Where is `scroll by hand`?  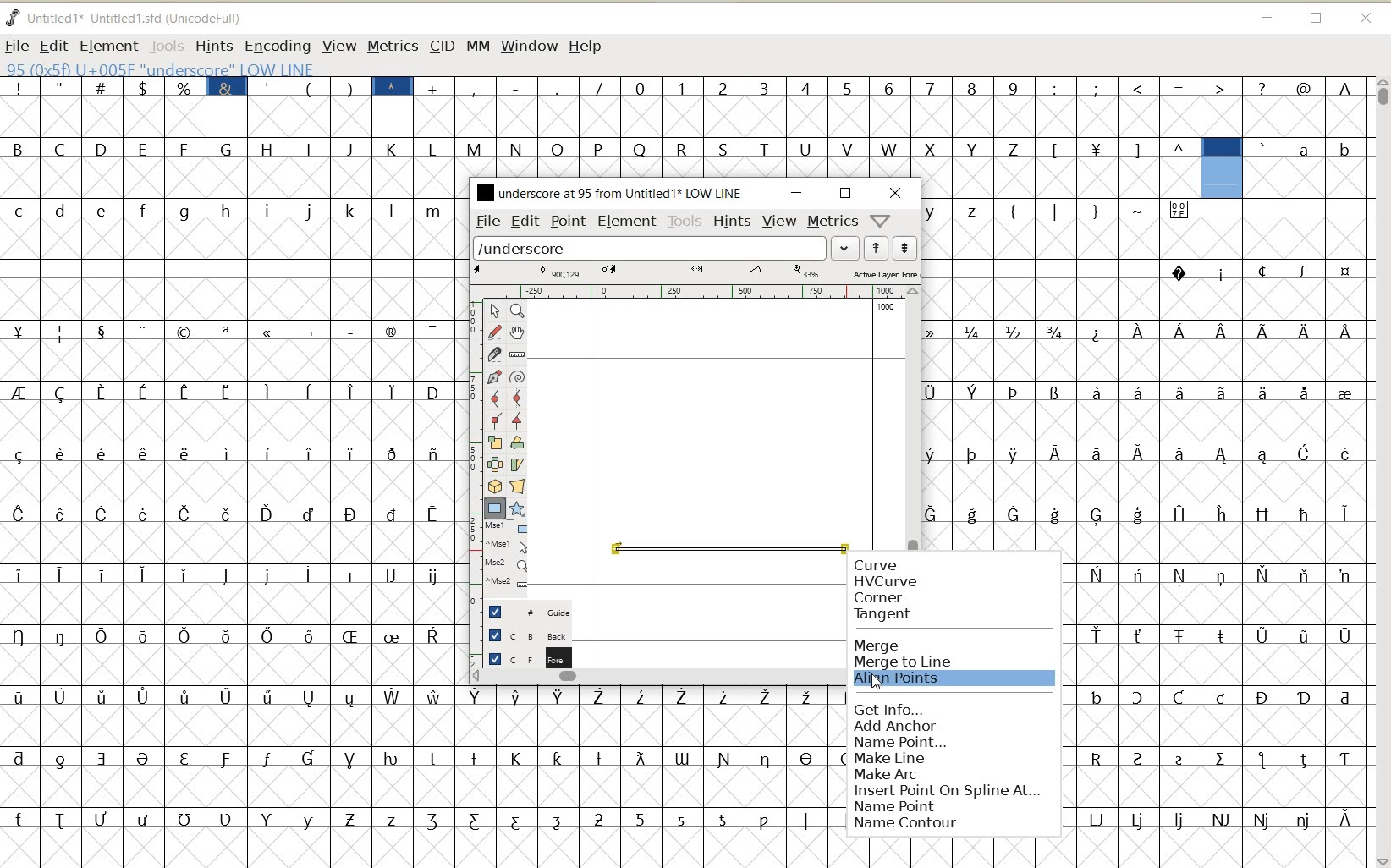
scroll by hand is located at coordinates (519, 332).